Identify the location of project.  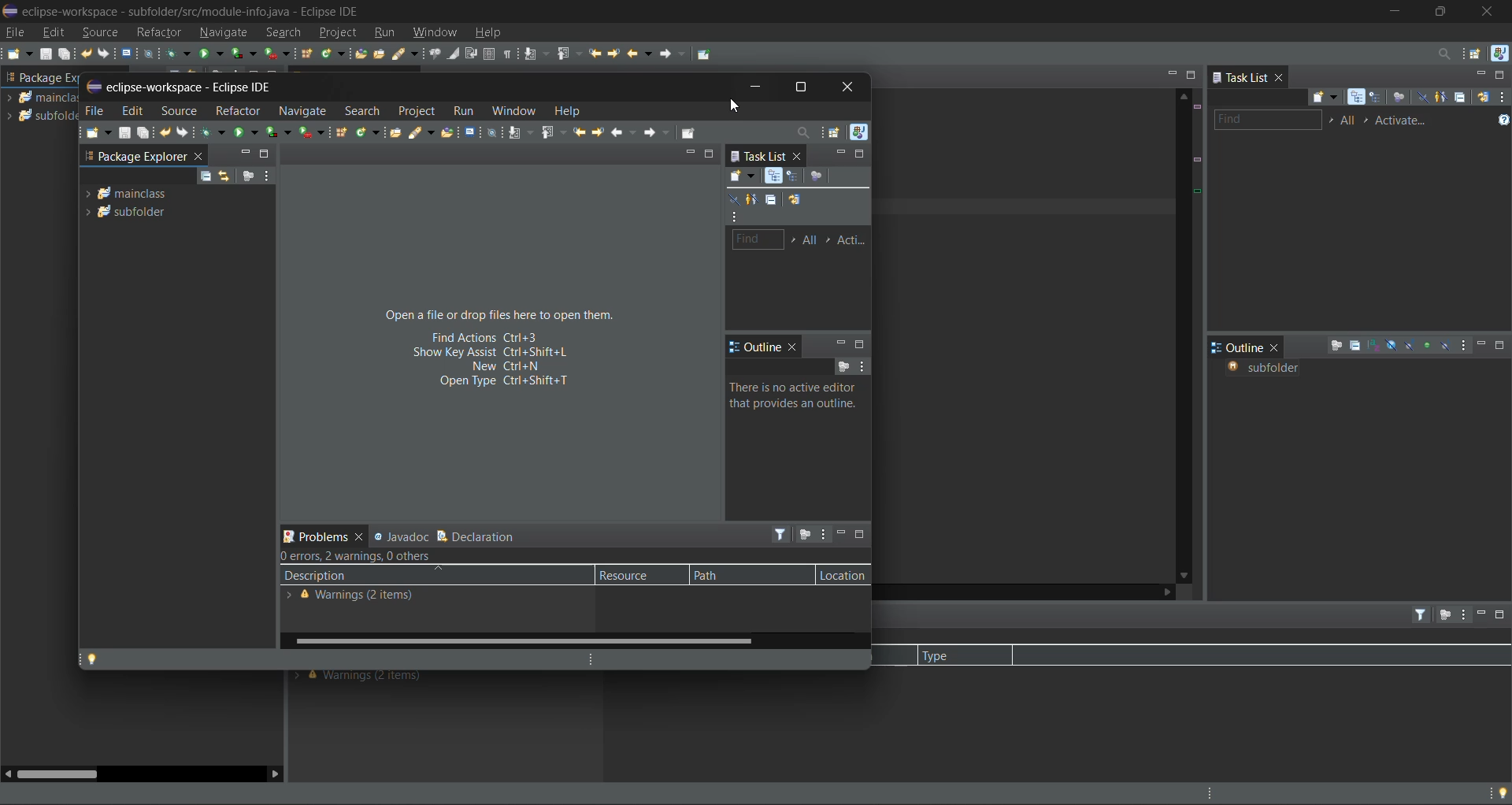
(418, 113).